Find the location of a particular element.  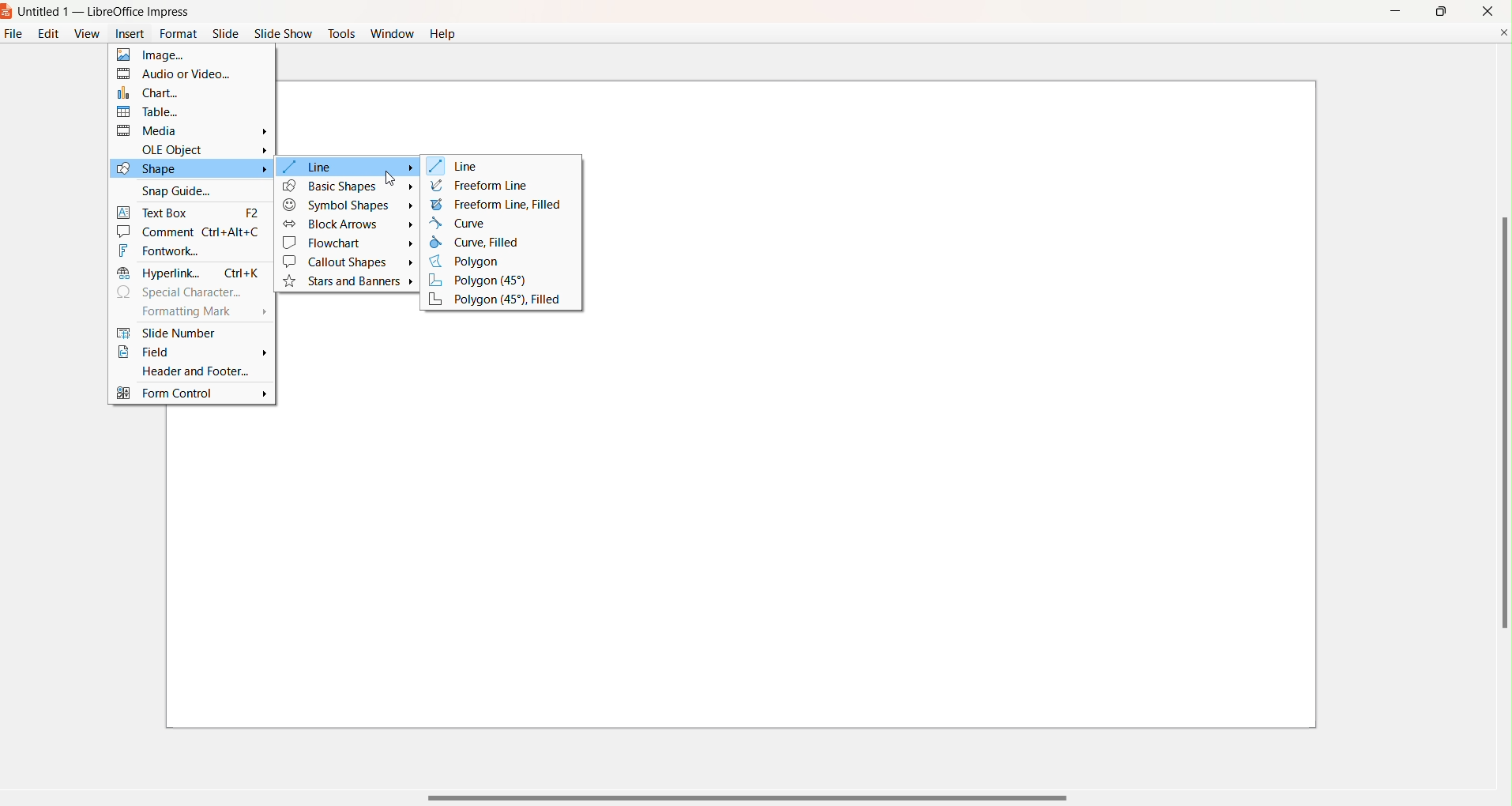

Minimize is located at coordinates (1394, 9).